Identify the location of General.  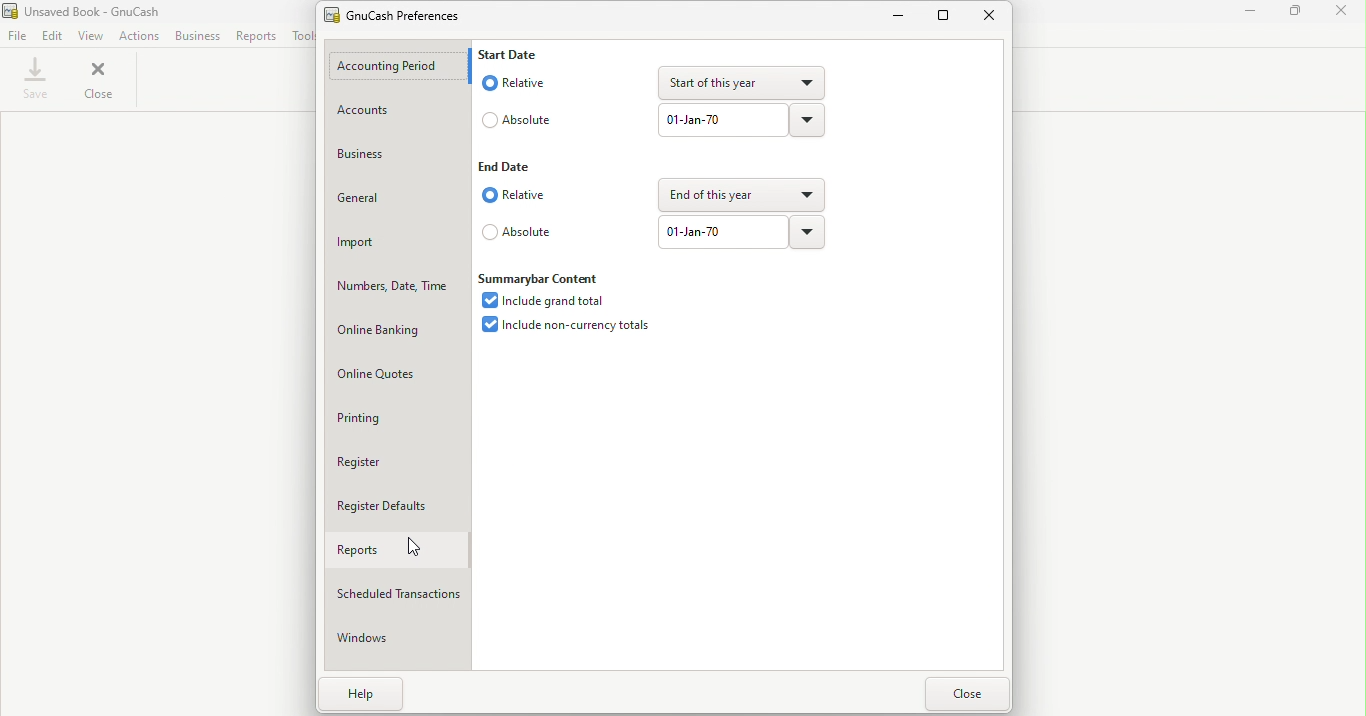
(398, 202).